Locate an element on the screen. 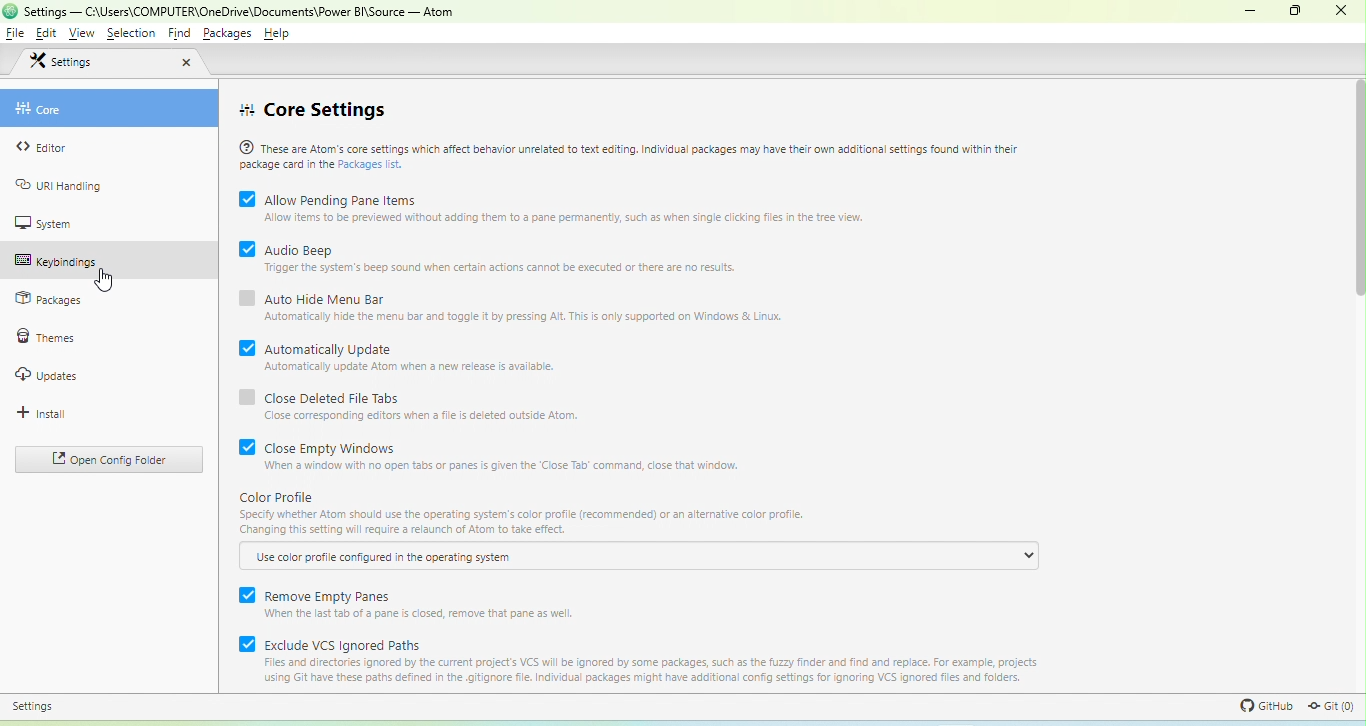 The image size is (1366, 726). Trigger the system's beep sound when certain actions cannot be executed or there are no results. is located at coordinates (494, 268).